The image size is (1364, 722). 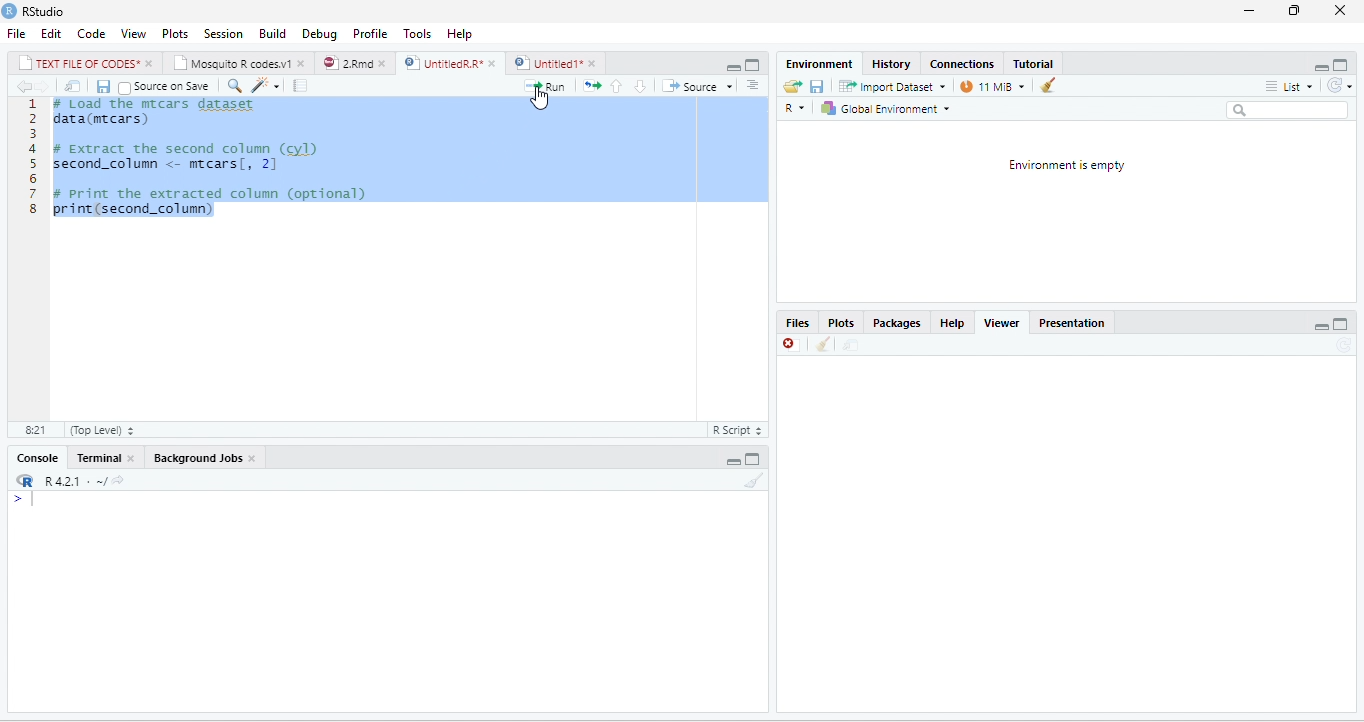 What do you see at coordinates (1032, 62) in the screenshot?
I see `Tutorial` at bounding box center [1032, 62].